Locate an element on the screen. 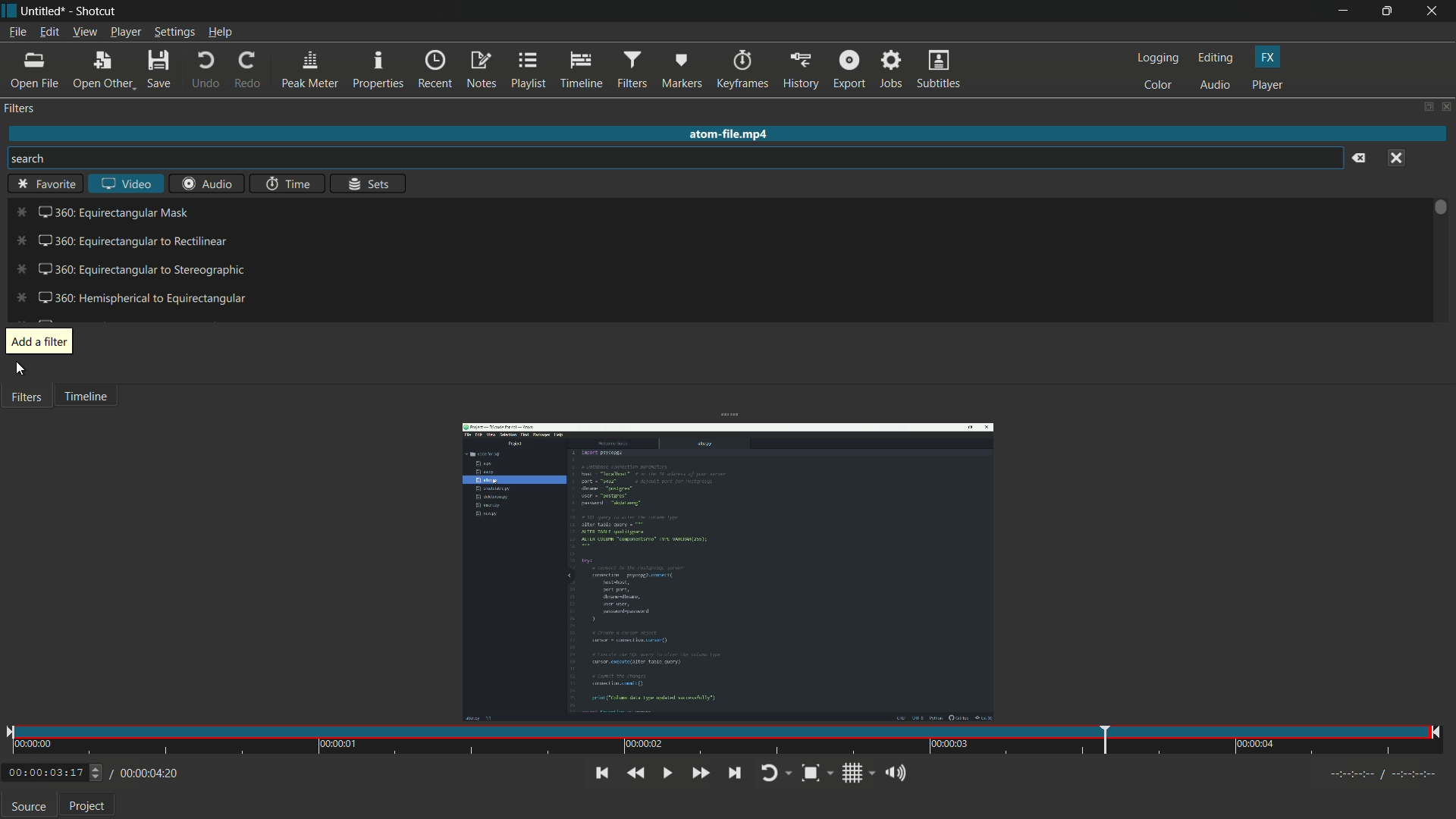  export is located at coordinates (847, 71).